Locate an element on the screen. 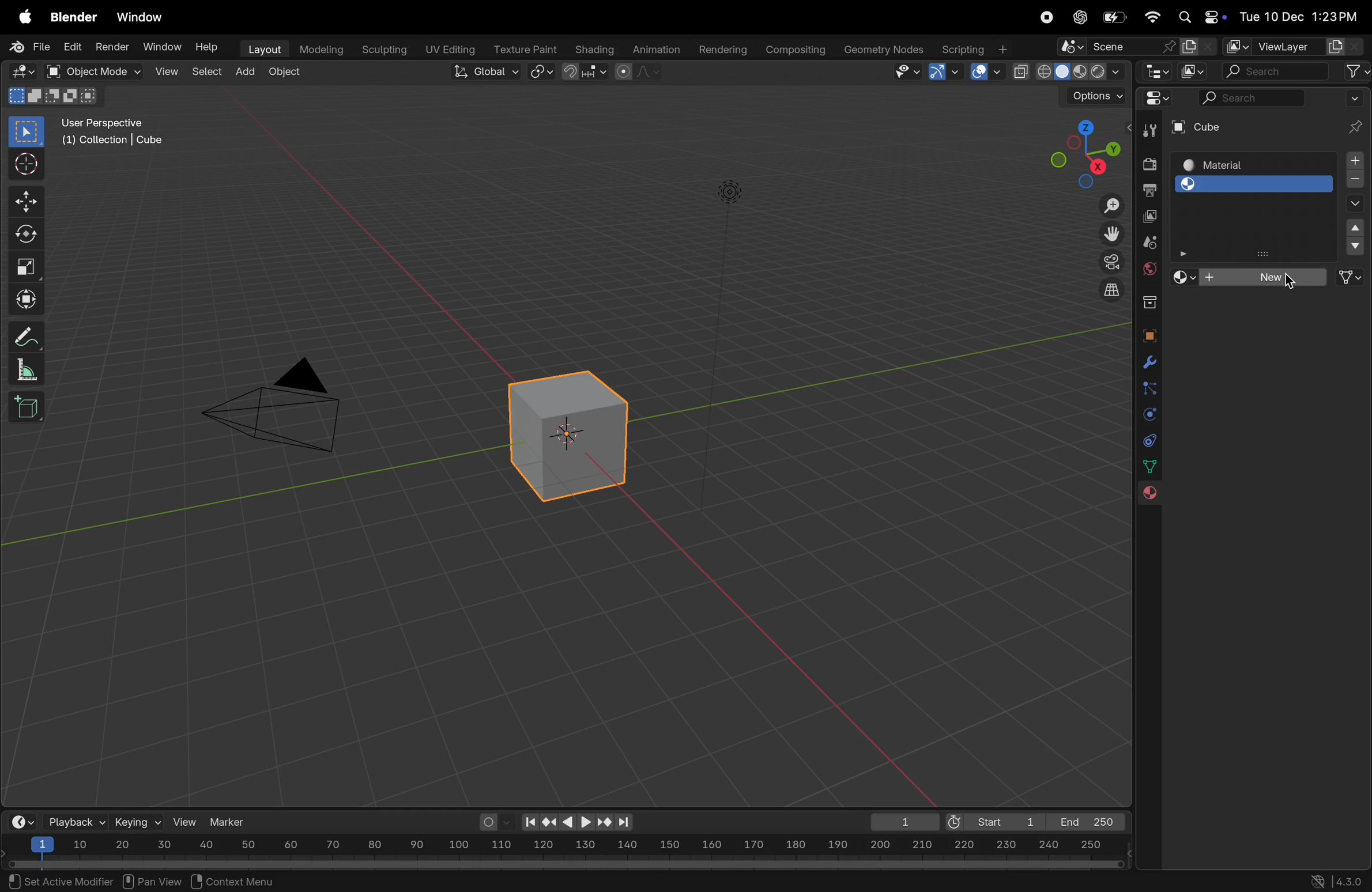  viewport shading is located at coordinates (1068, 69).